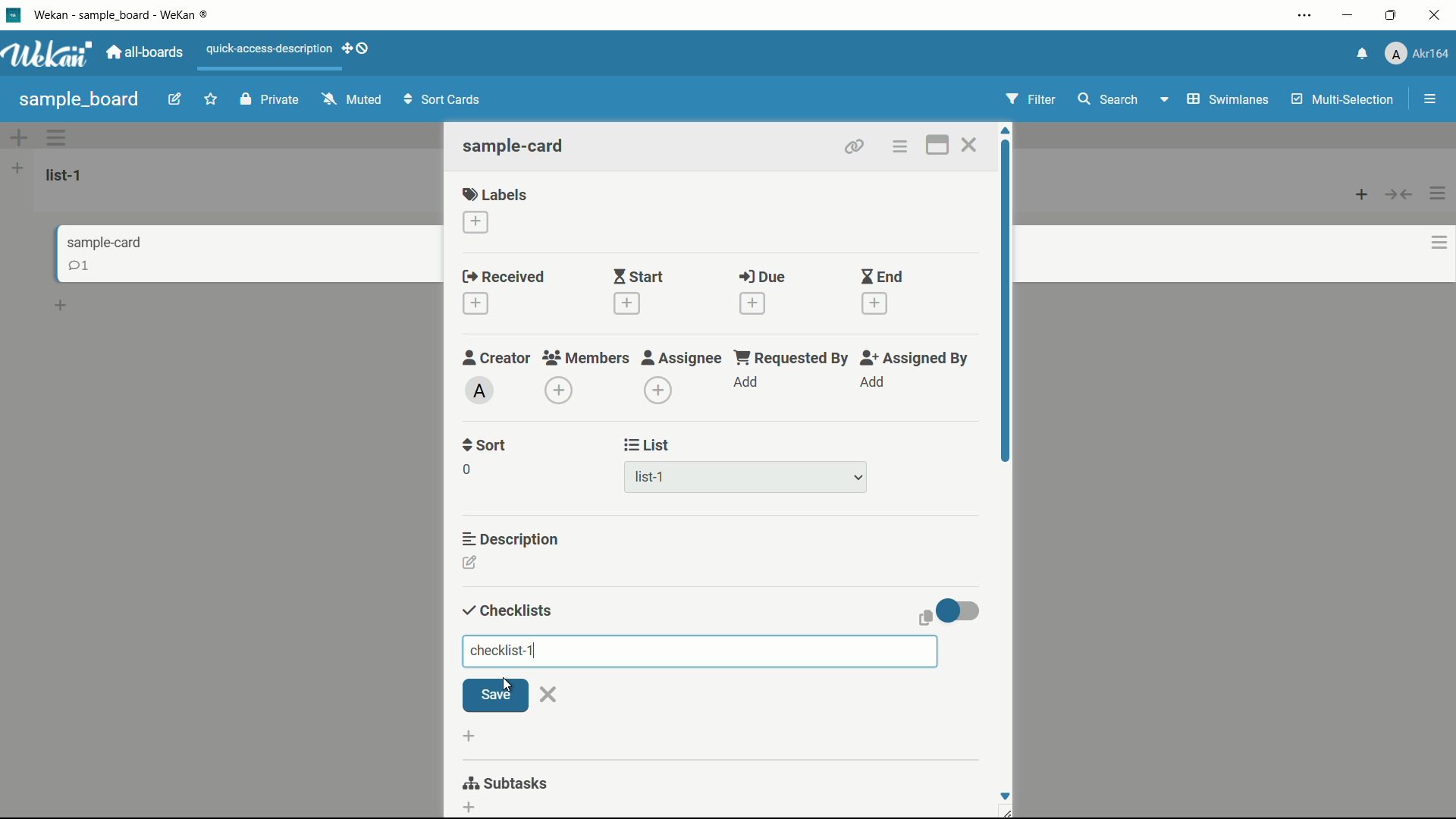 This screenshot has height=819, width=1456. Describe the element at coordinates (1109, 98) in the screenshot. I see `search` at that location.